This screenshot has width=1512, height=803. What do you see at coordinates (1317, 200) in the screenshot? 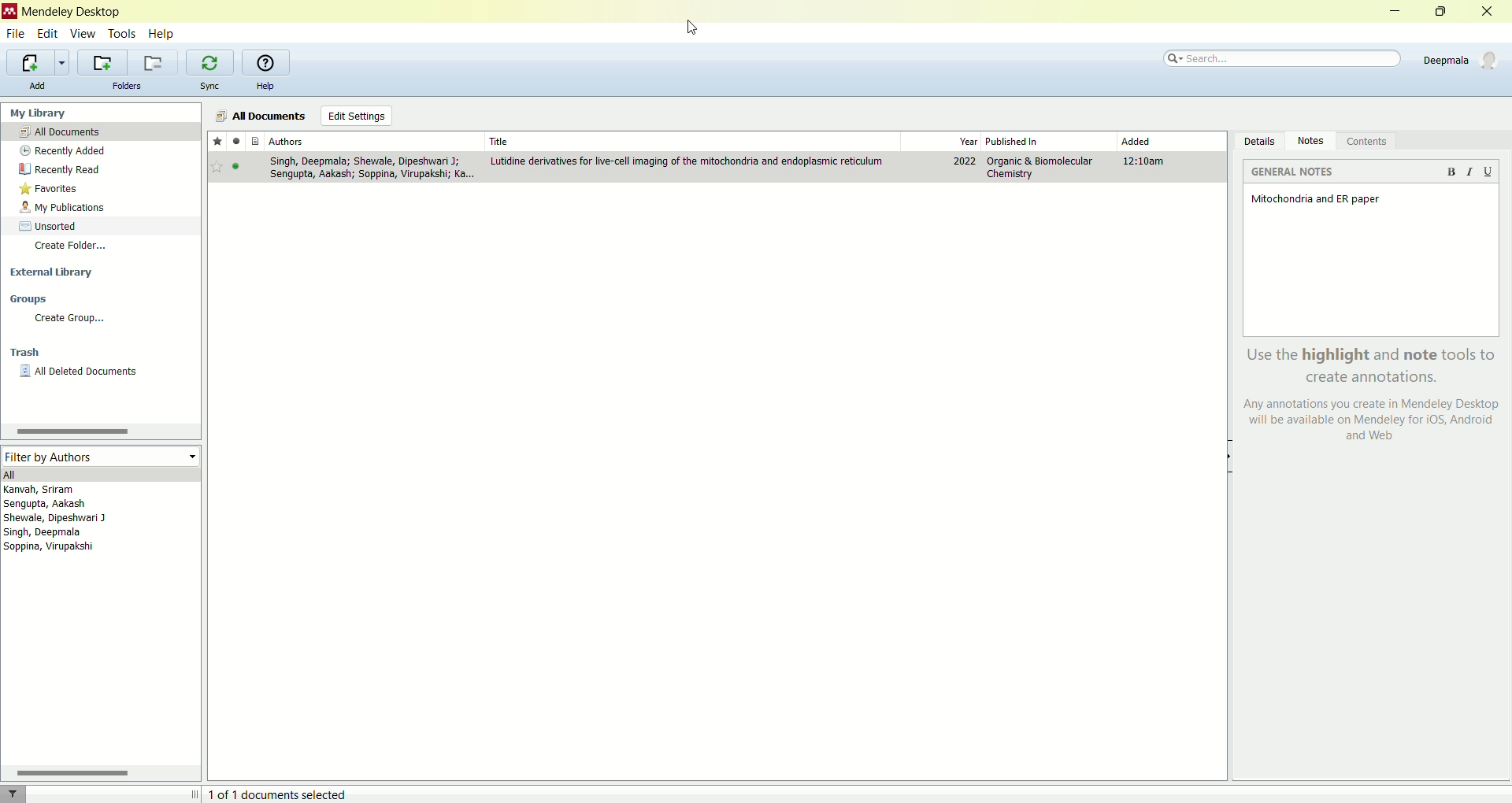
I see `Mitochondria and ER paper` at bounding box center [1317, 200].